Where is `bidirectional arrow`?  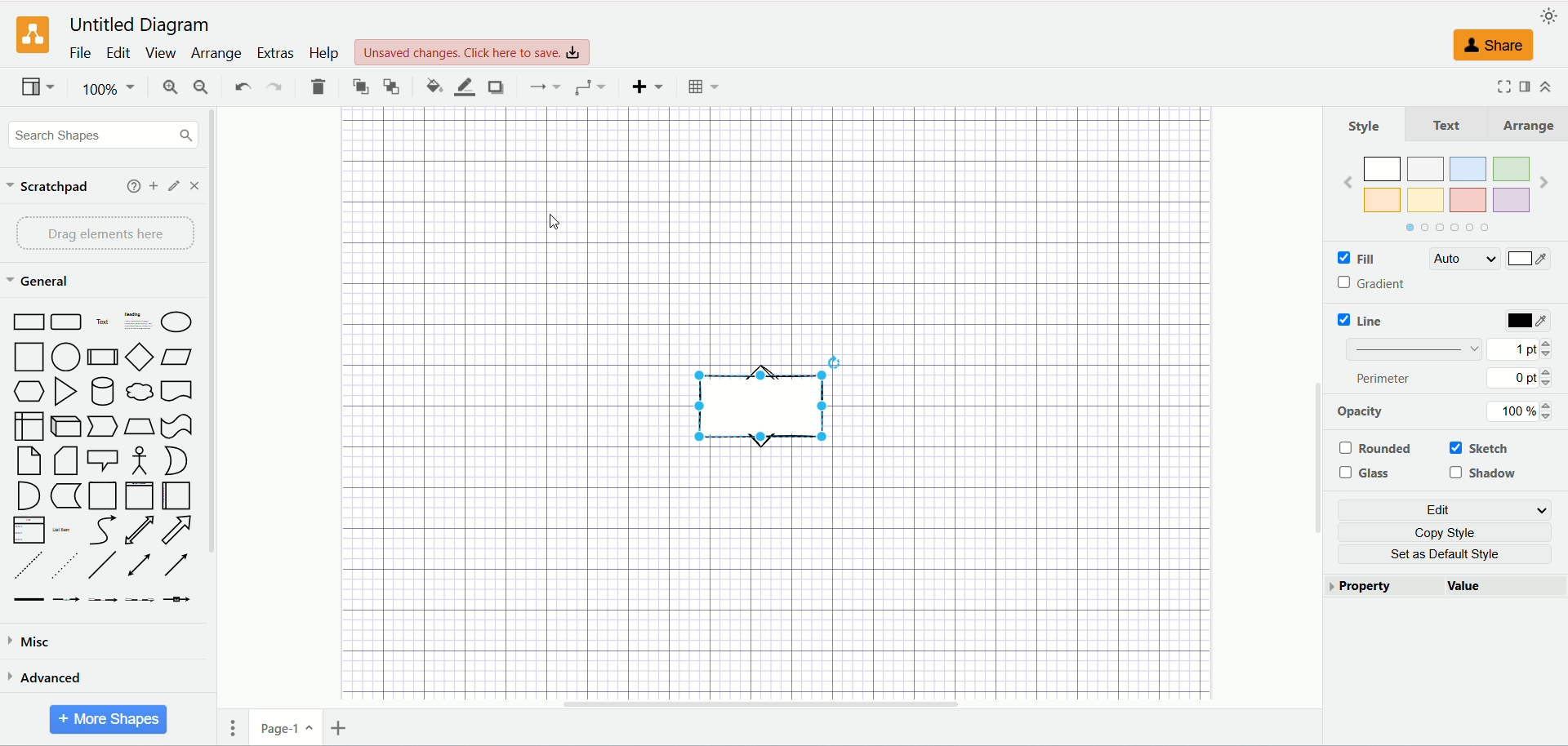
bidirectional arrow is located at coordinates (143, 563).